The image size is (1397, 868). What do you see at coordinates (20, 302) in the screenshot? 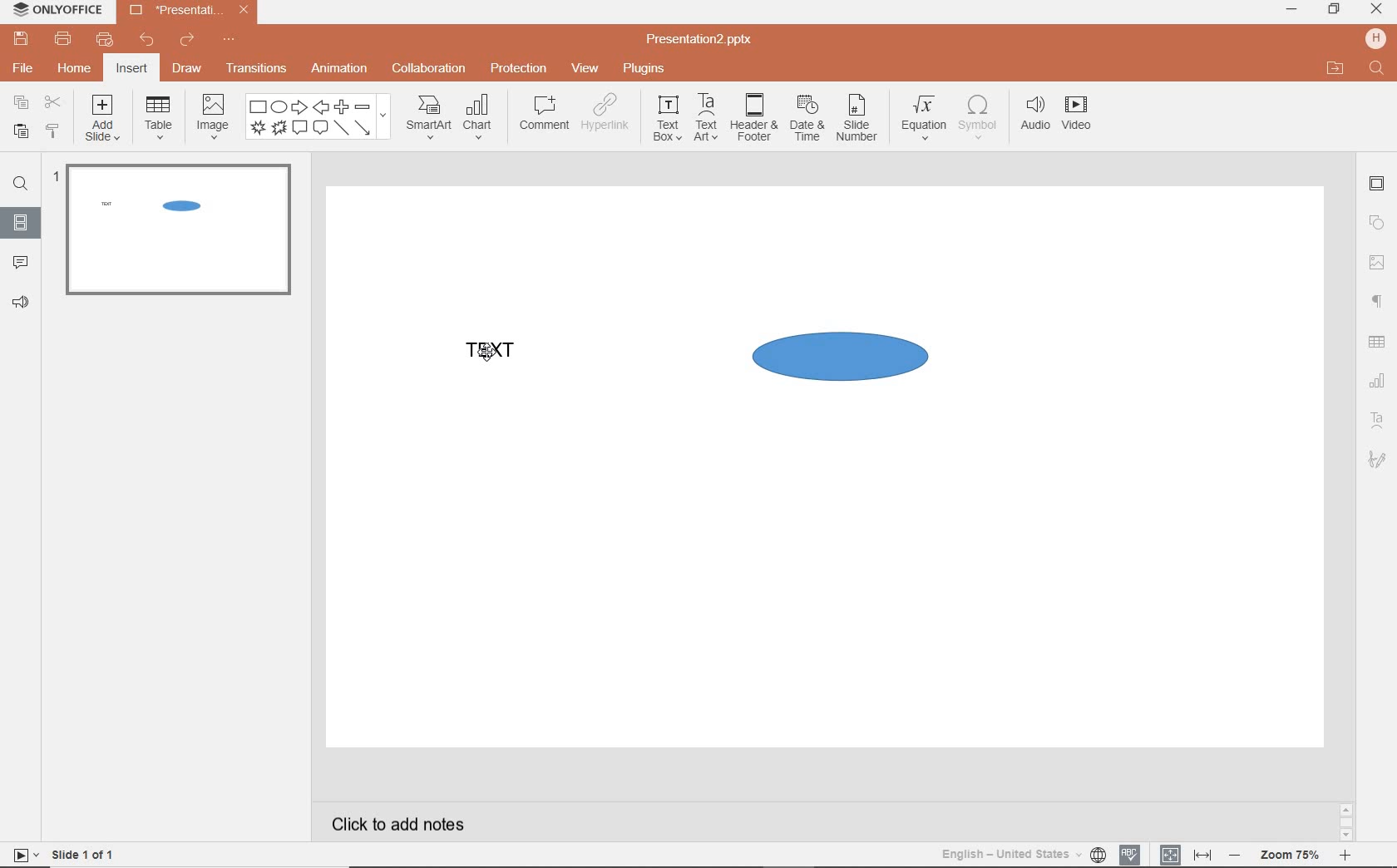
I see `FEEDBACK & SUPPORT` at bounding box center [20, 302].